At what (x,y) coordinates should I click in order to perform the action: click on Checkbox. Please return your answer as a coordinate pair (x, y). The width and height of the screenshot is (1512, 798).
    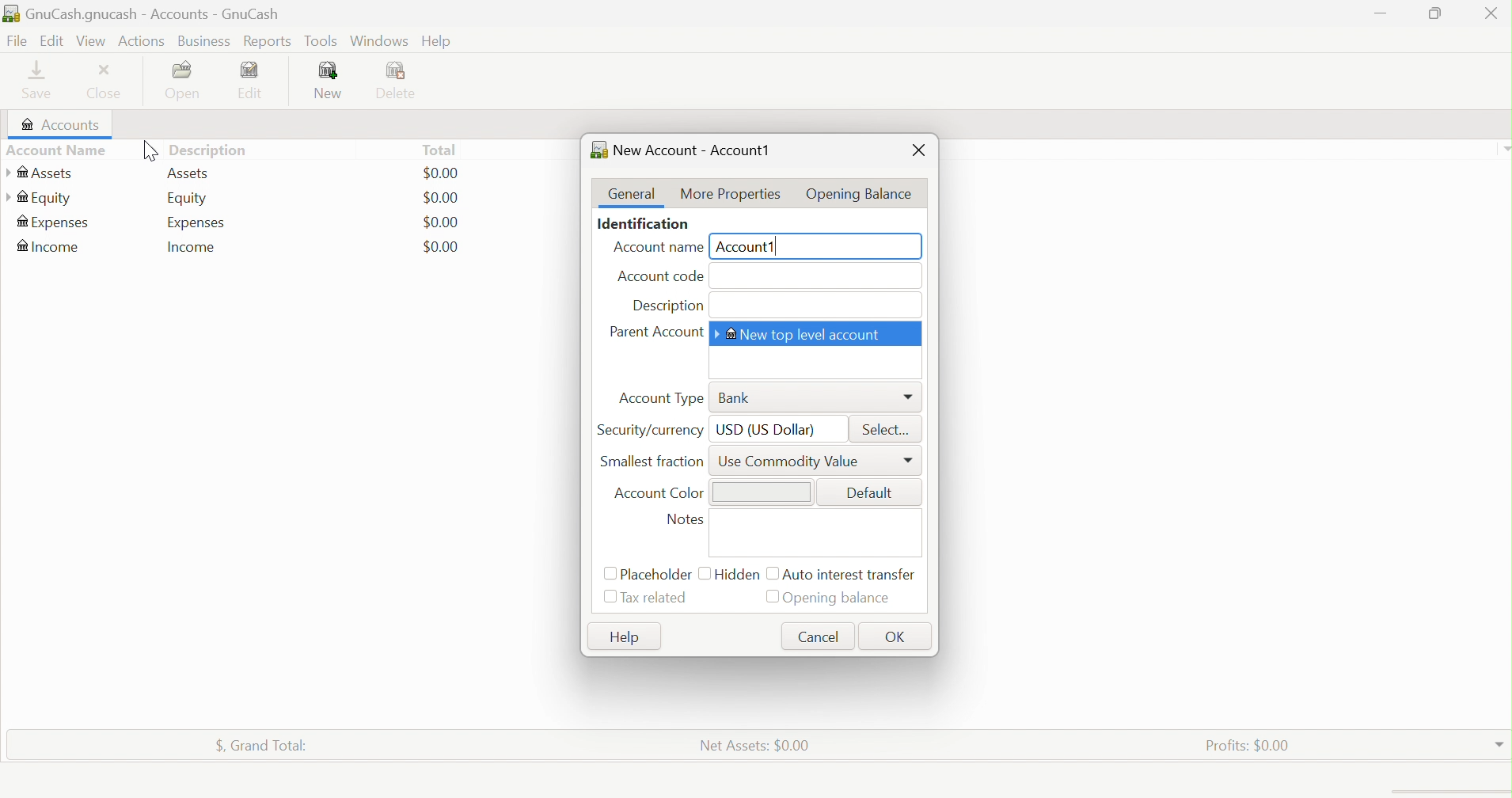
    Looking at the image, I should click on (772, 597).